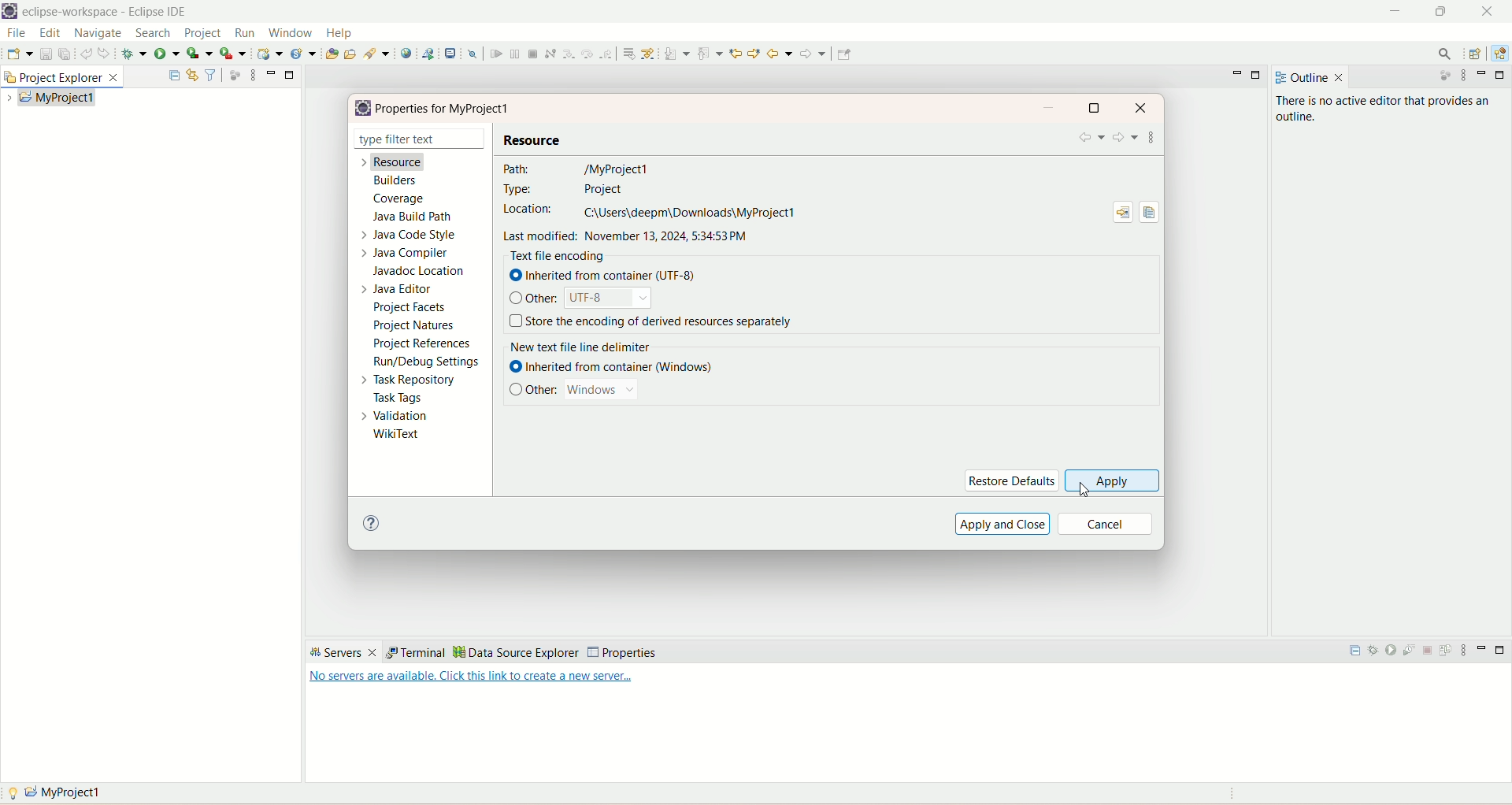  What do you see at coordinates (407, 254) in the screenshot?
I see `java compiler` at bounding box center [407, 254].